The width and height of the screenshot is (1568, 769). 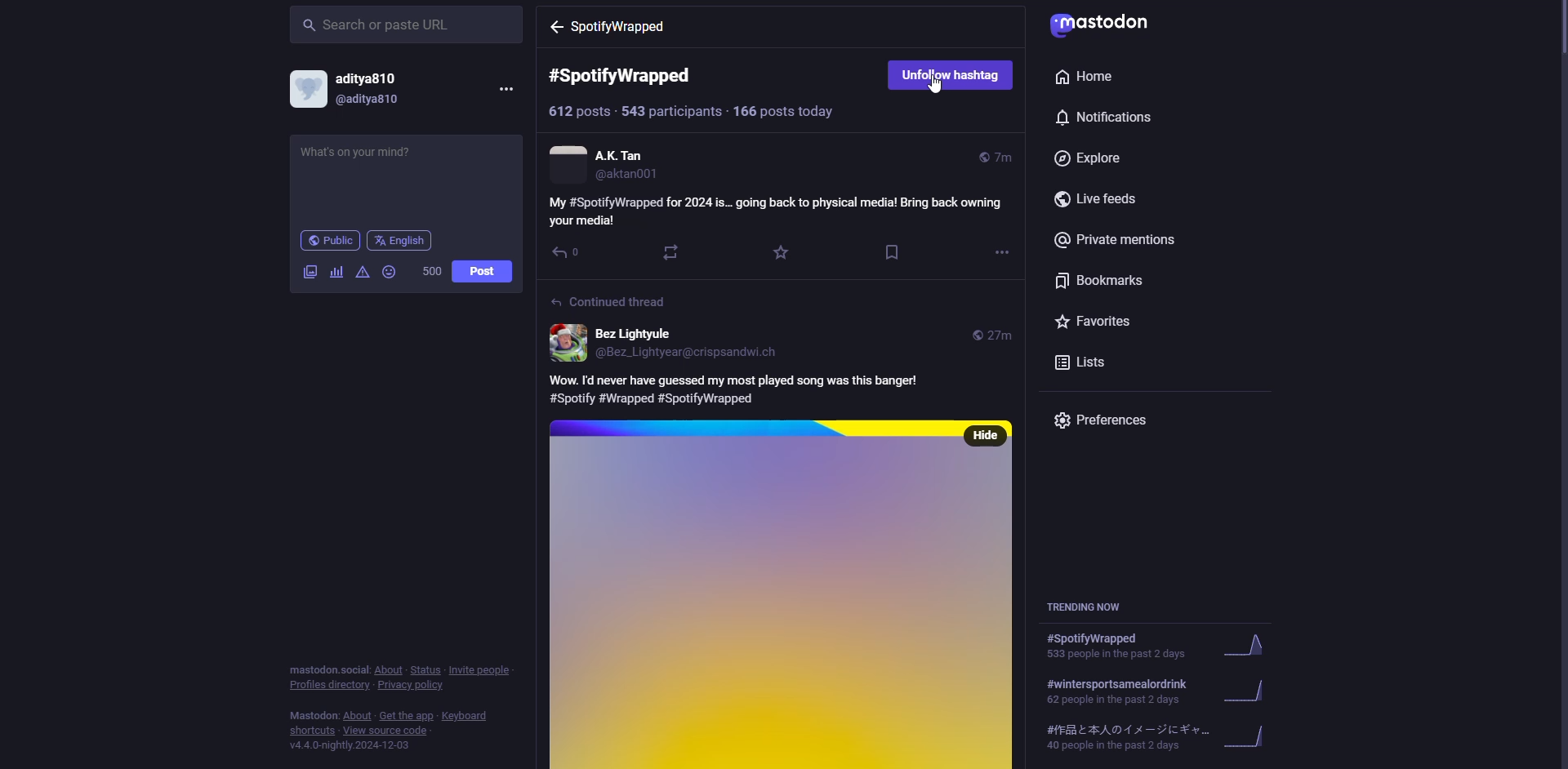 I want to click on hashtag followed, so click(x=949, y=77).